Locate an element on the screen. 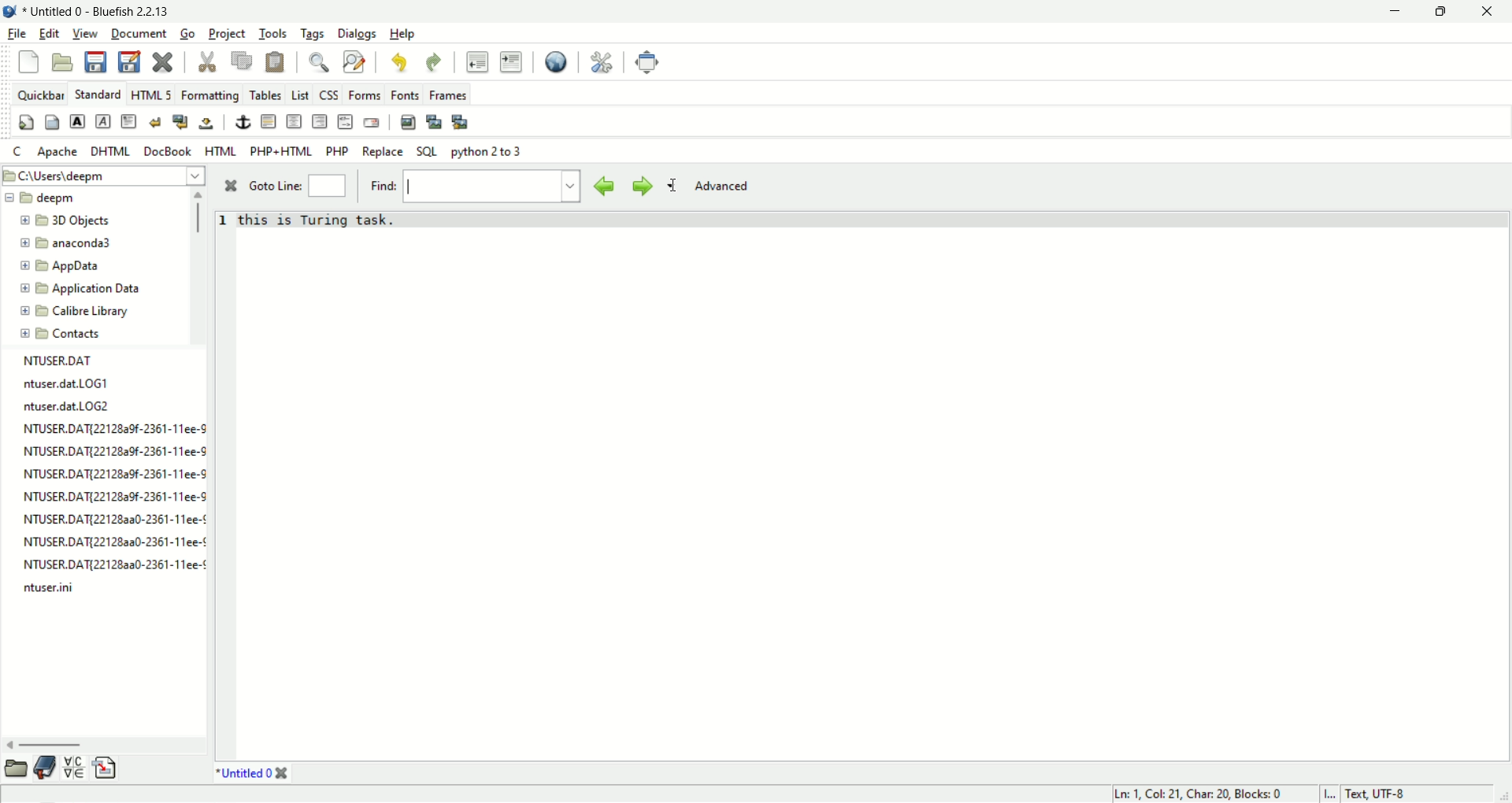 Image resolution: width=1512 pixels, height=803 pixels. find is located at coordinates (323, 63).